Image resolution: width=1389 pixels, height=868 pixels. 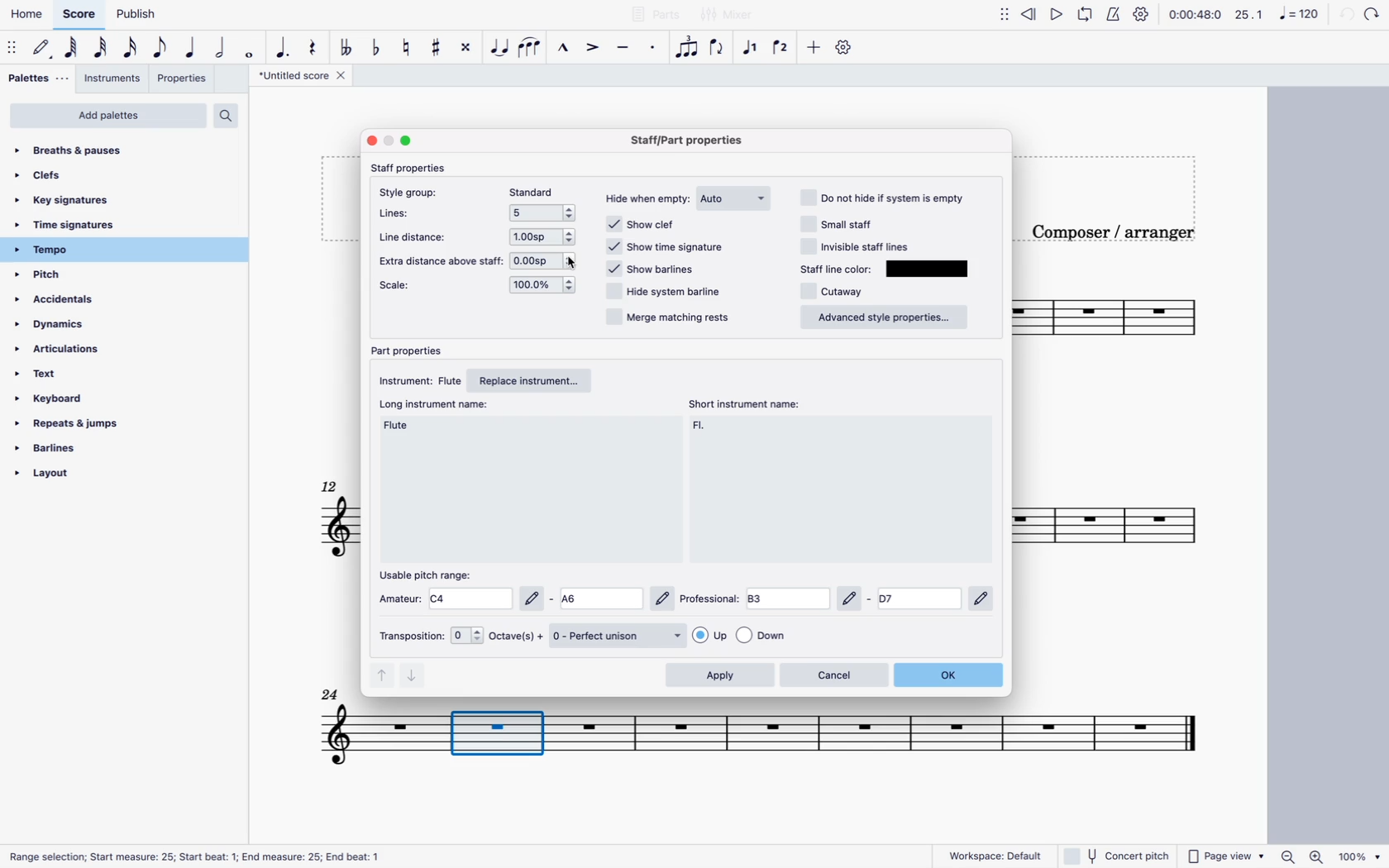 What do you see at coordinates (1226, 856) in the screenshot?
I see `page view` at bounding box center [1226, 856].